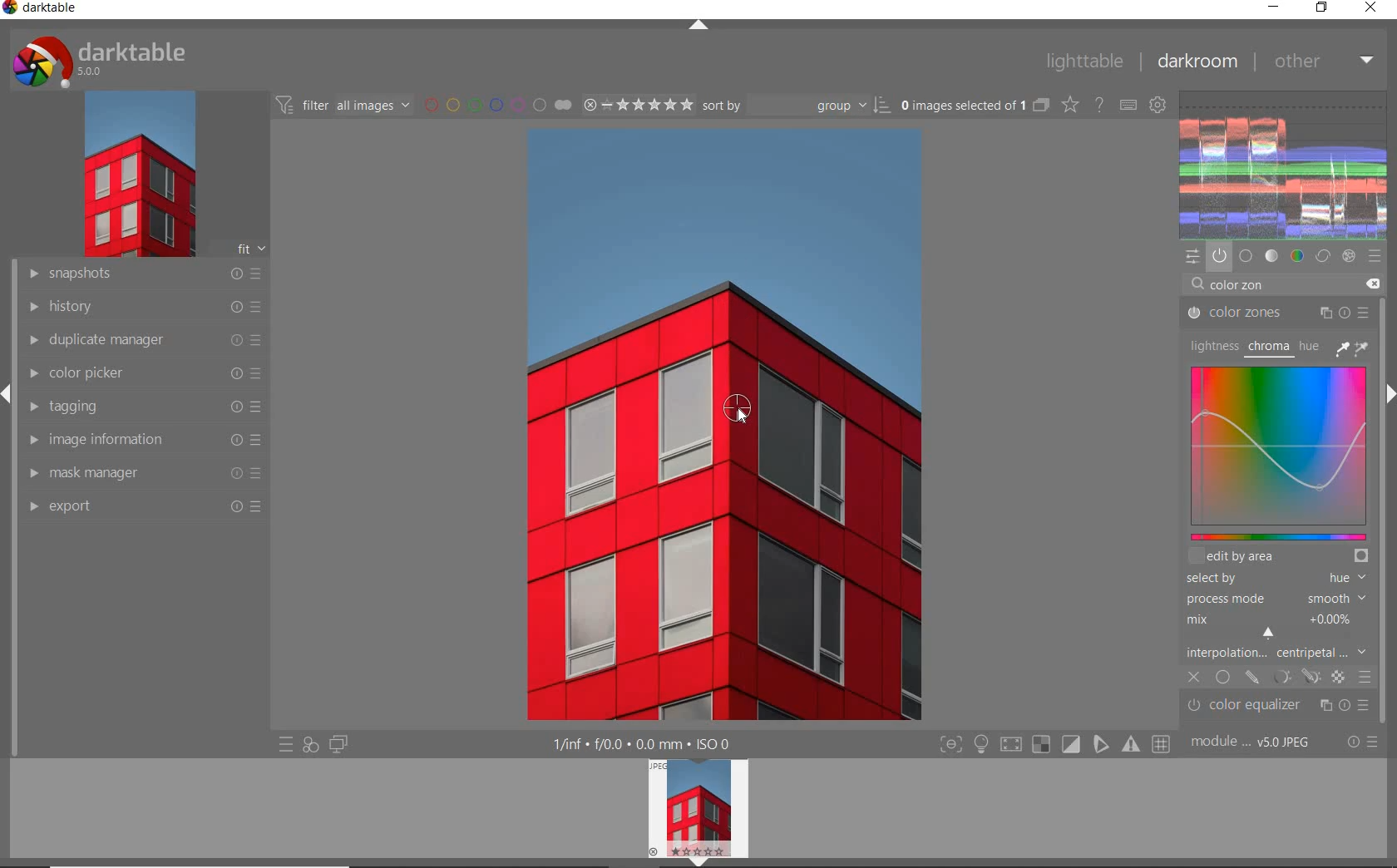 The height and width of the screenshot is (868, 1397). Describe the element at coordinates (1324, 60) in the screenshot. I see `other` at that location.